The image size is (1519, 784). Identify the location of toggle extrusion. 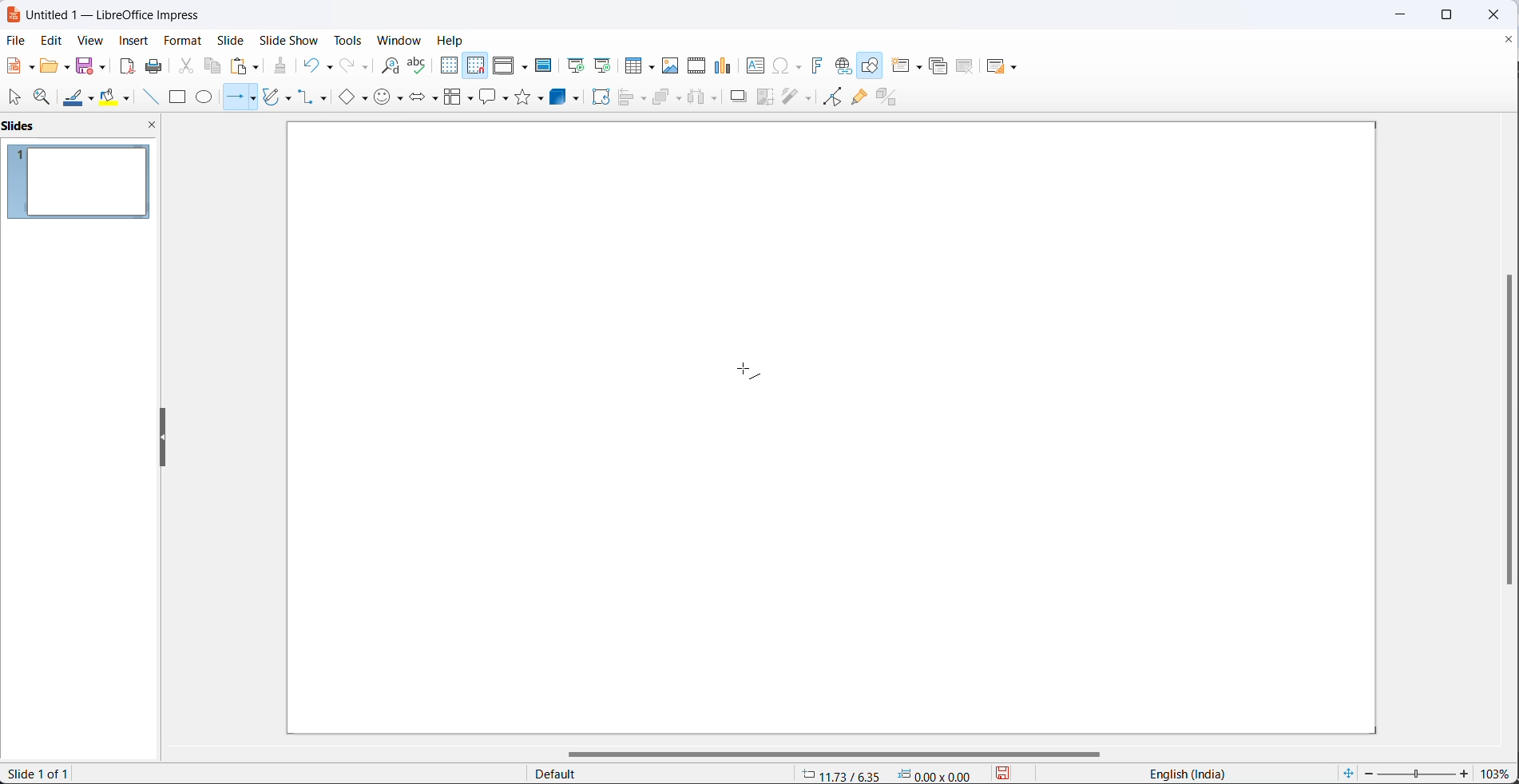
(891, 97).